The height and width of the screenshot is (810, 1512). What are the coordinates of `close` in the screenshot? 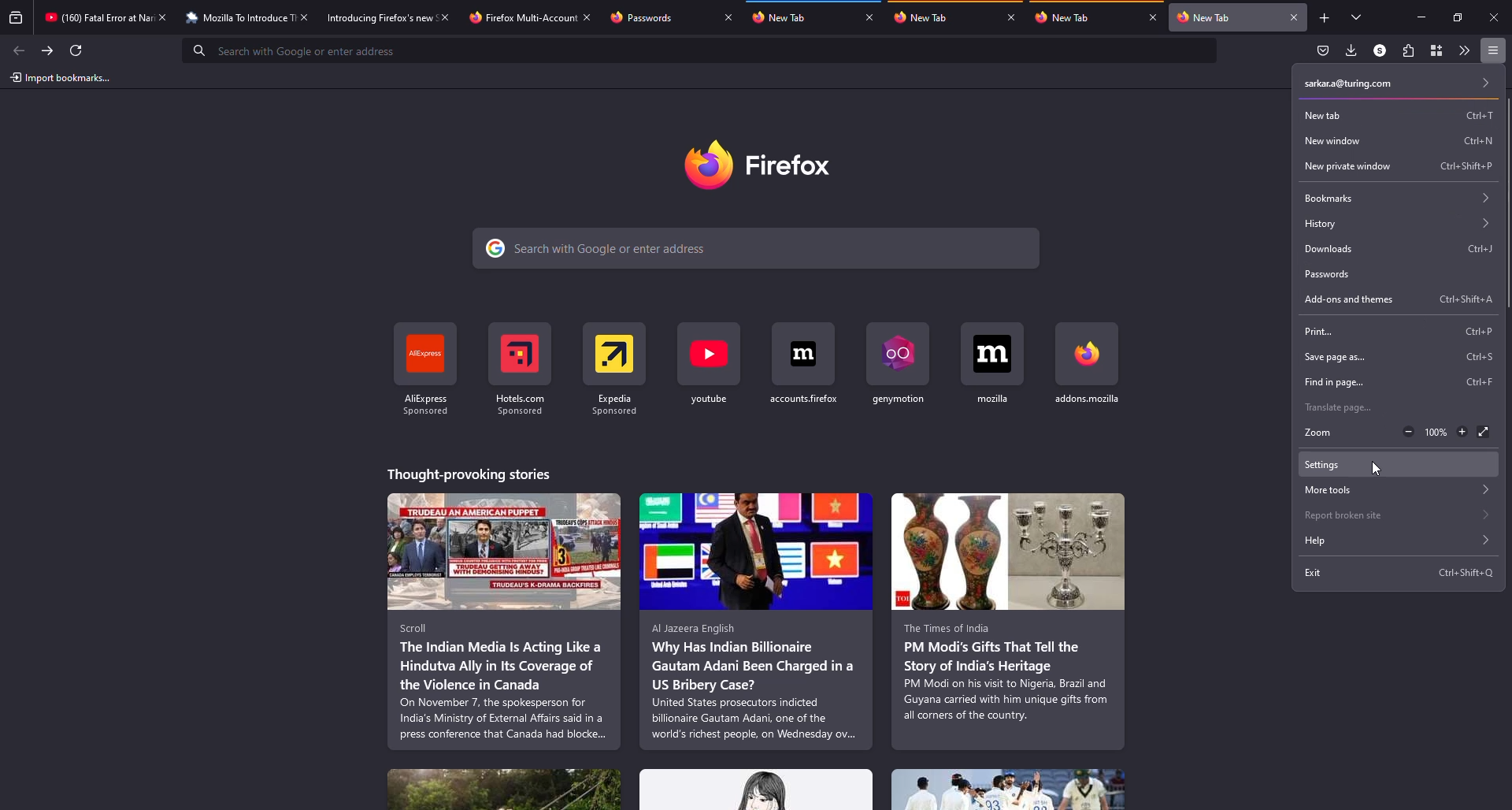 It's located at (588, 17).